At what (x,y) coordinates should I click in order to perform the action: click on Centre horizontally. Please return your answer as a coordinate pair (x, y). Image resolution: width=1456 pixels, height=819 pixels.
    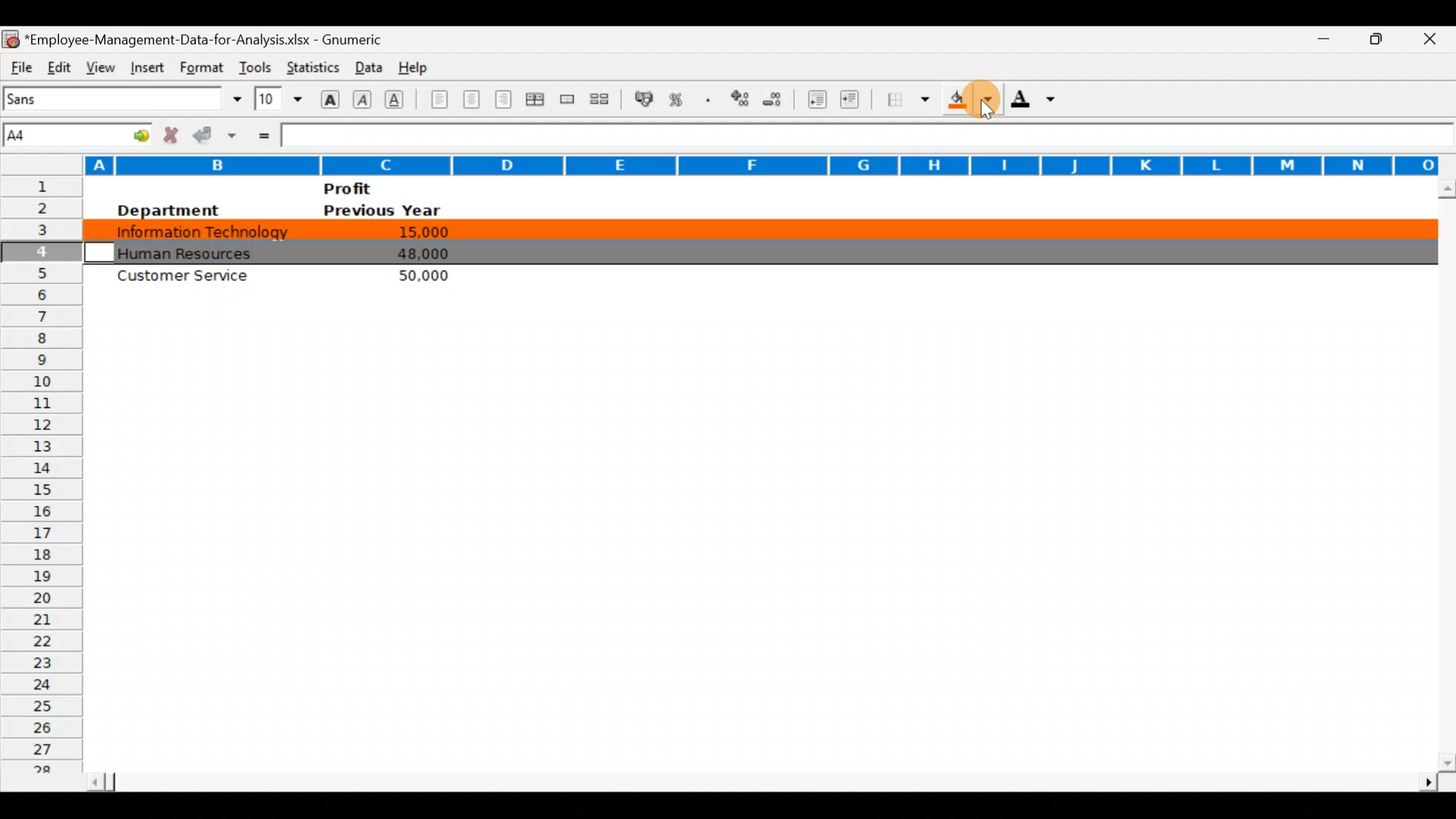
    Looking at the image, I should click on (472, 102).